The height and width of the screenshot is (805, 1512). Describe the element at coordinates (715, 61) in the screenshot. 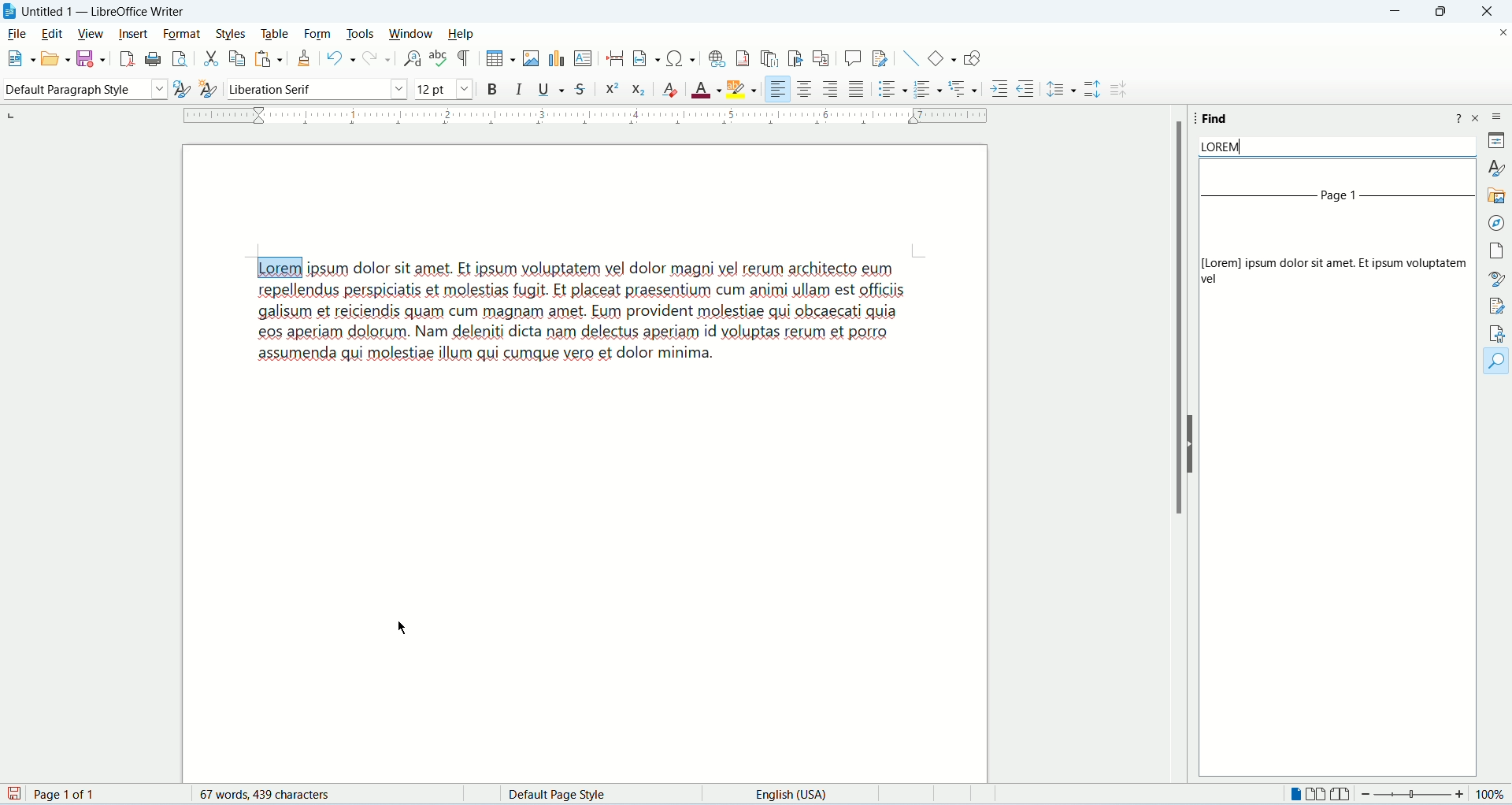

I see `insert hyperlink` at that location.